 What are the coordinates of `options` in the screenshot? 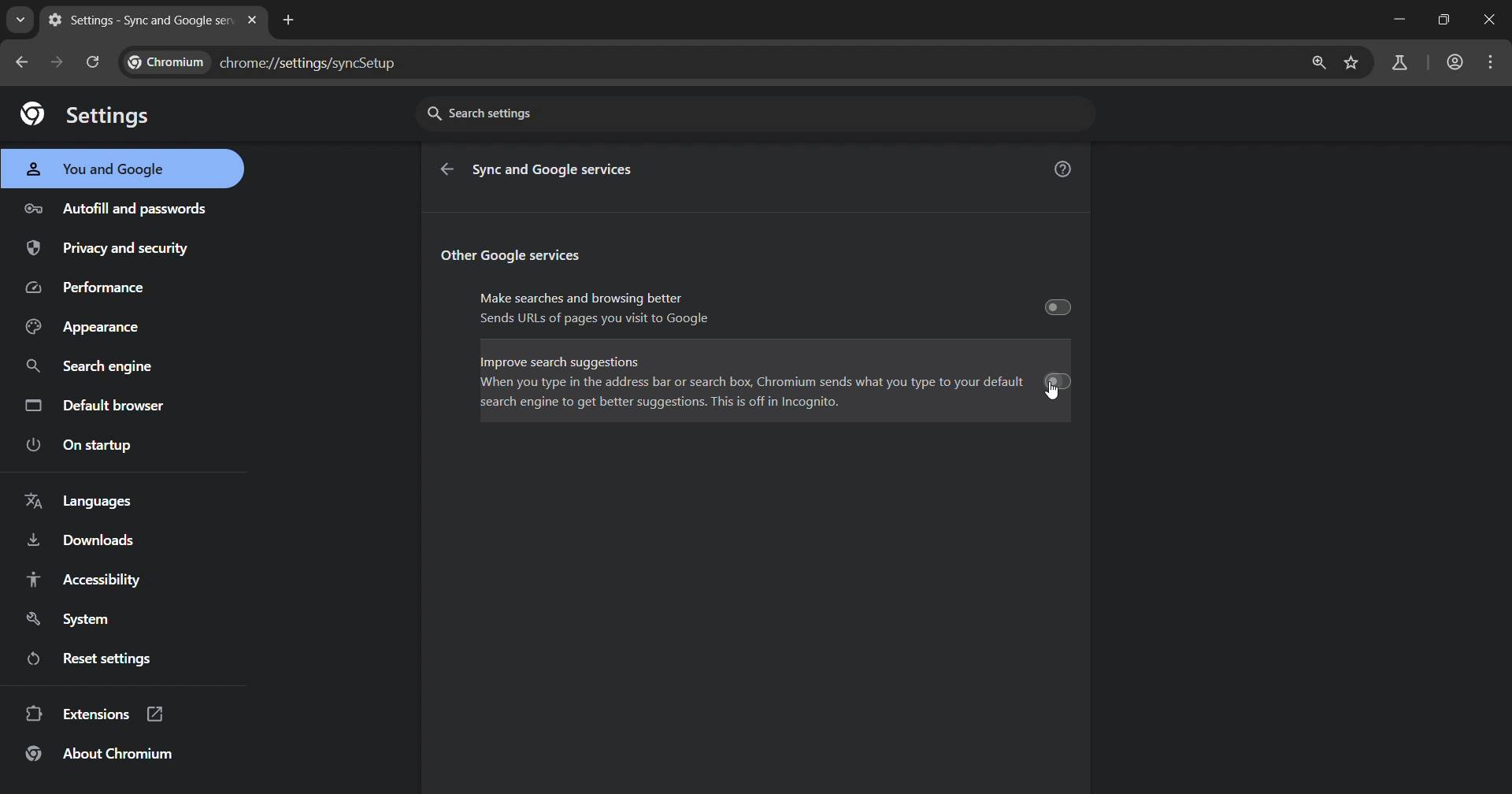 It's located at (1489, 61).